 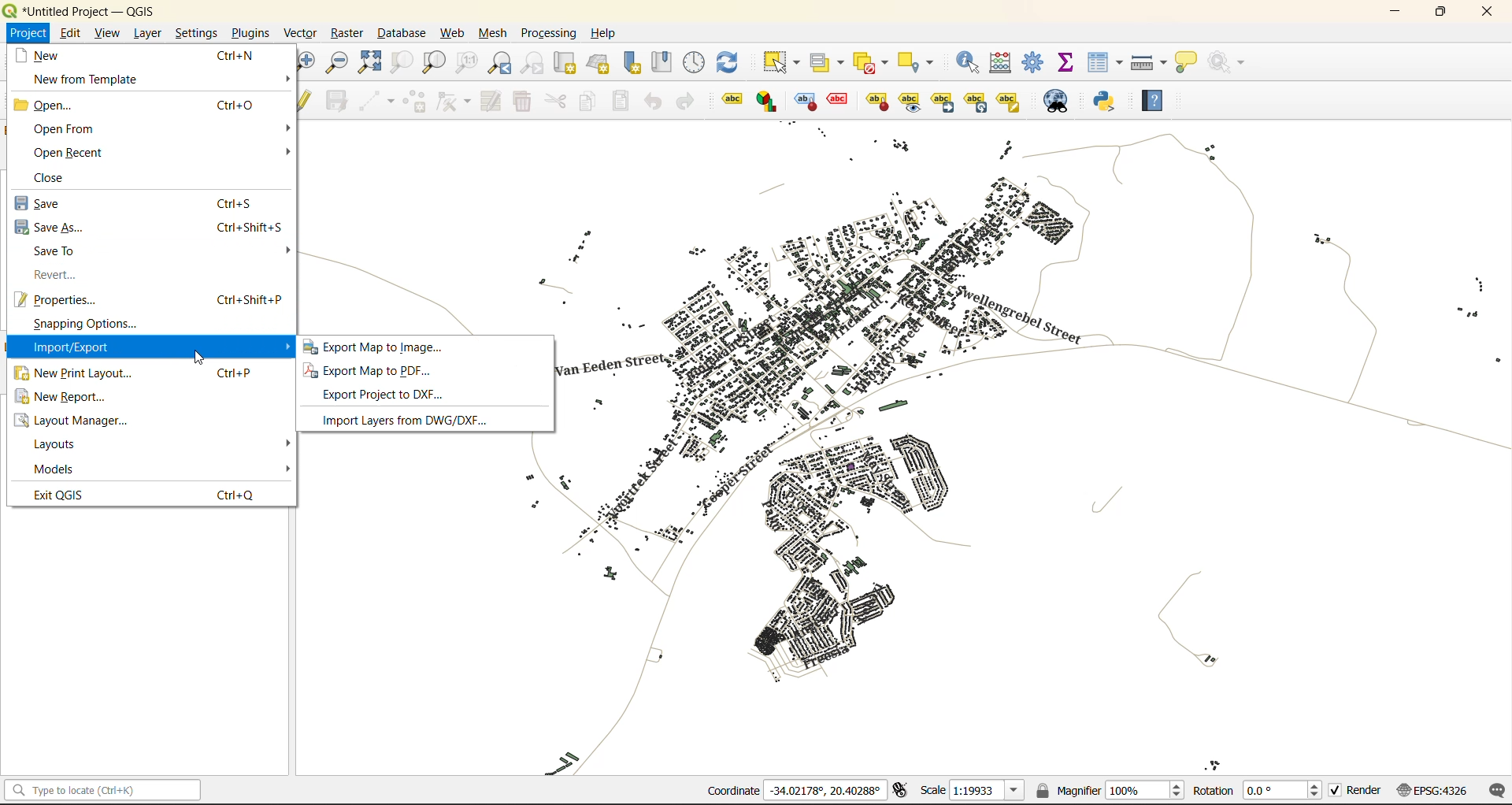 I want to click on identify features, so click(x=969, y=61).